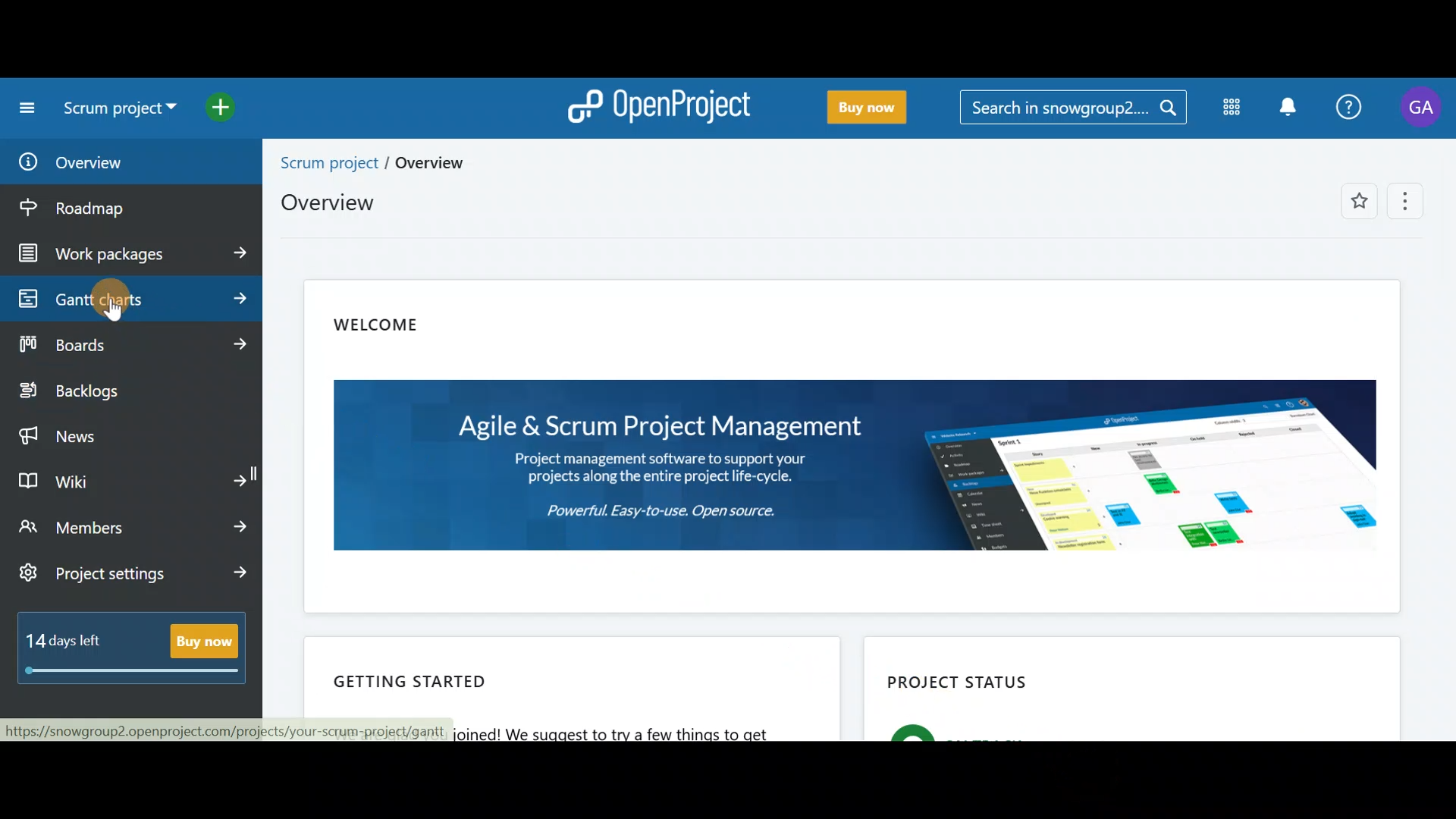 This screenshot has width=1456, height=819. I want to click on https://snowgroup2.openproject.com/projects/your-scrum-project/gantt, so click(230, 730).